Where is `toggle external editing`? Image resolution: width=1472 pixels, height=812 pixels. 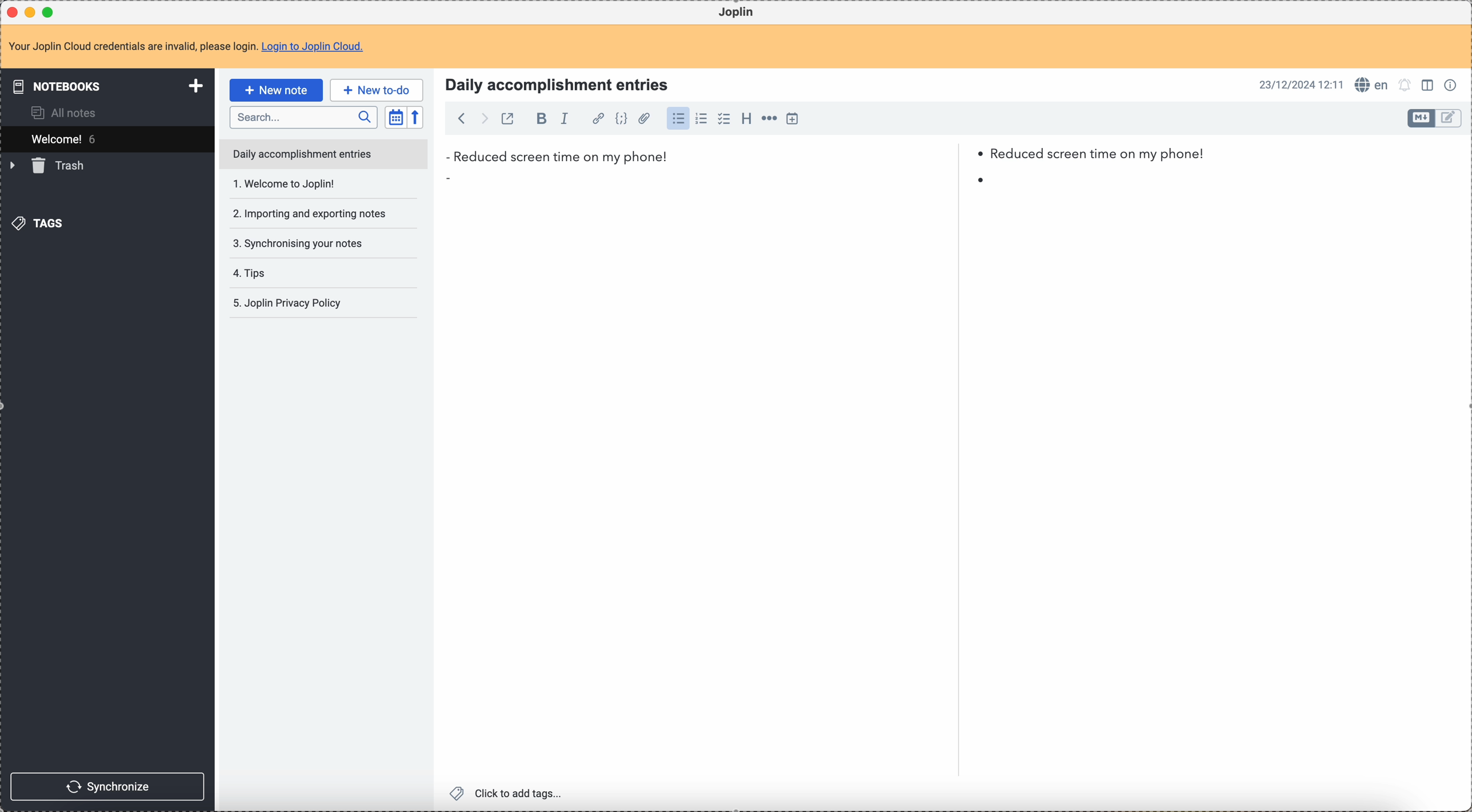 toggle external editing is located at coordinates (508, 118).